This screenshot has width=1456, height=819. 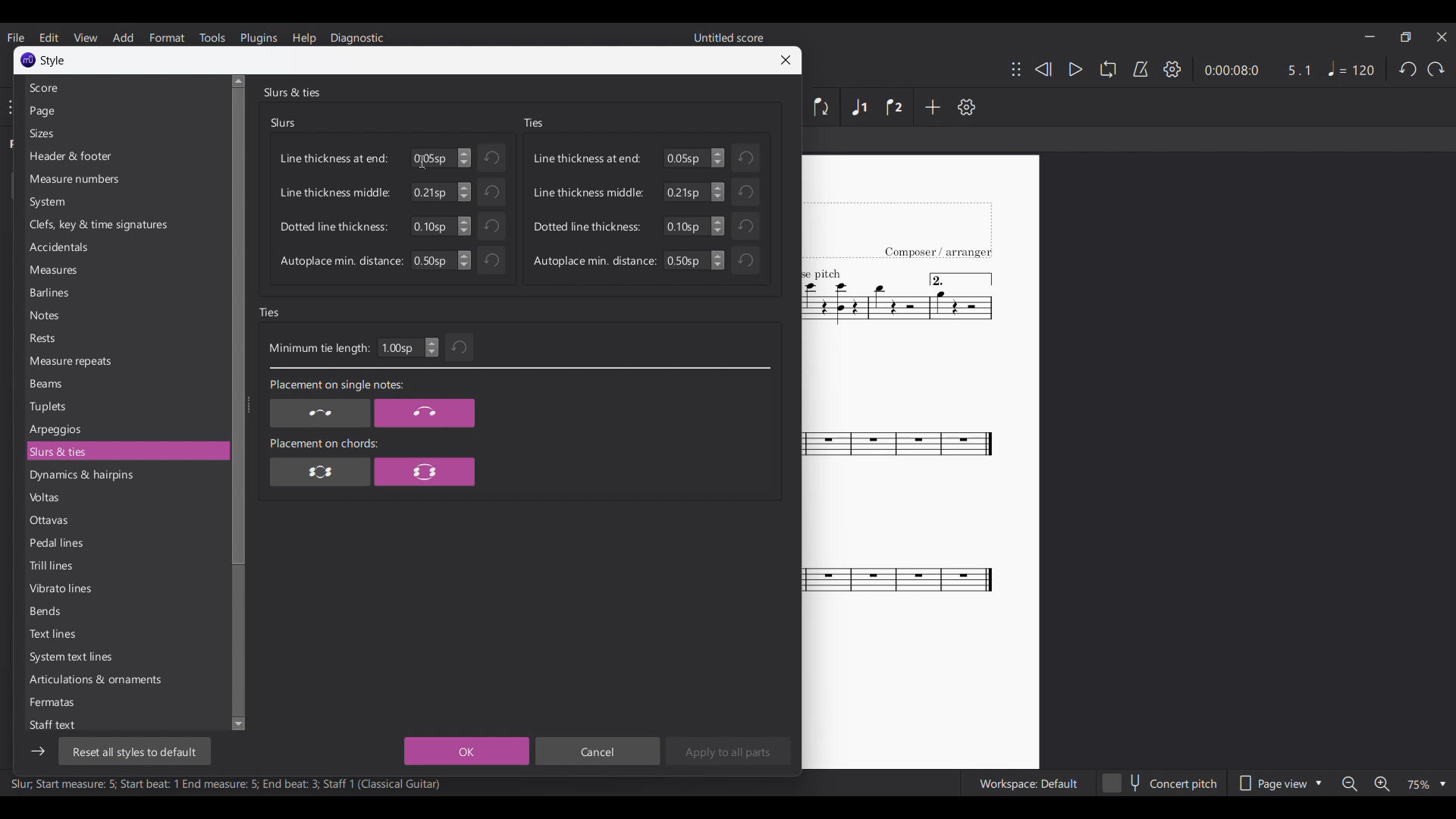 I want to click on Input autoplace min. distance, so click(x=686, y=260).